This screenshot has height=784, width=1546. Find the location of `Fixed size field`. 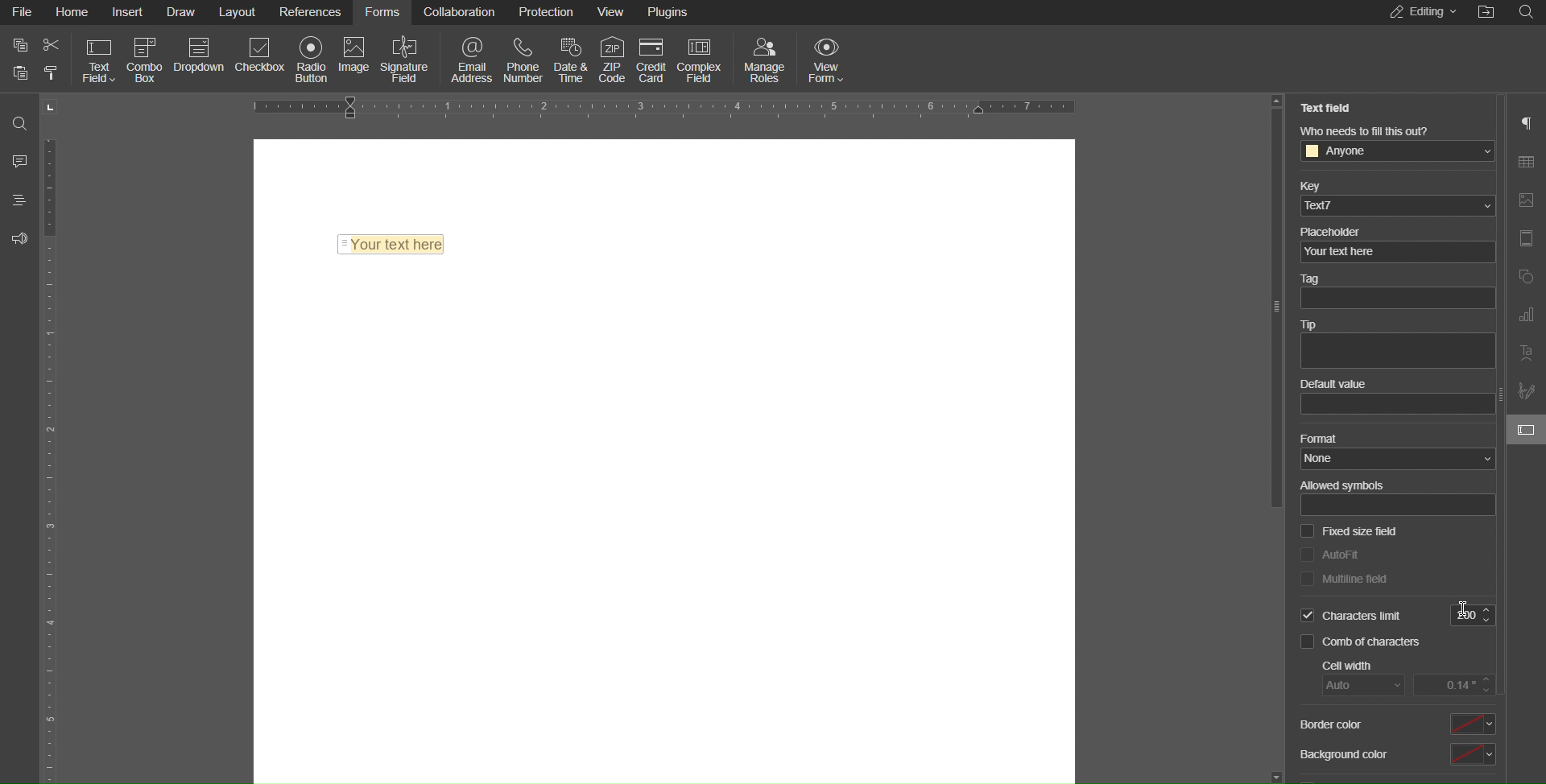

Fixed size field is located at coordinates (1348, 532).